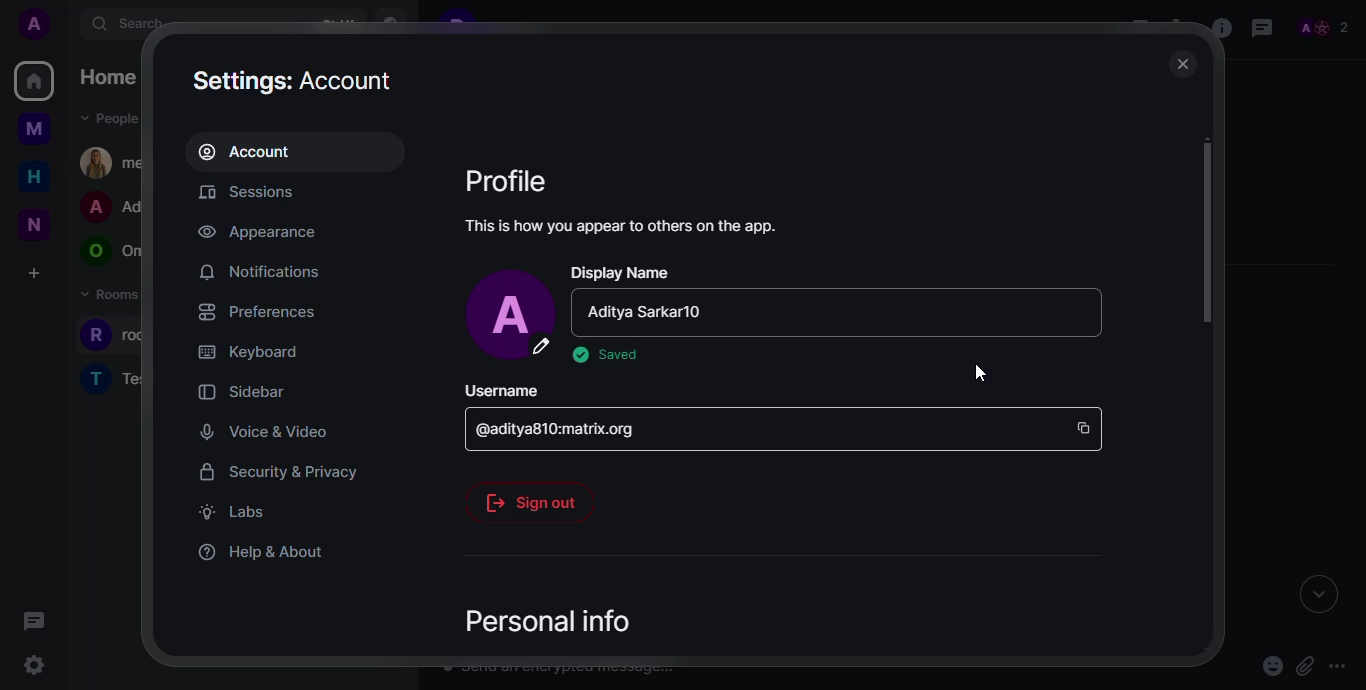 The width and height of the screenshot is (1366, 690). I want to click on notifications, so click(259, 272).